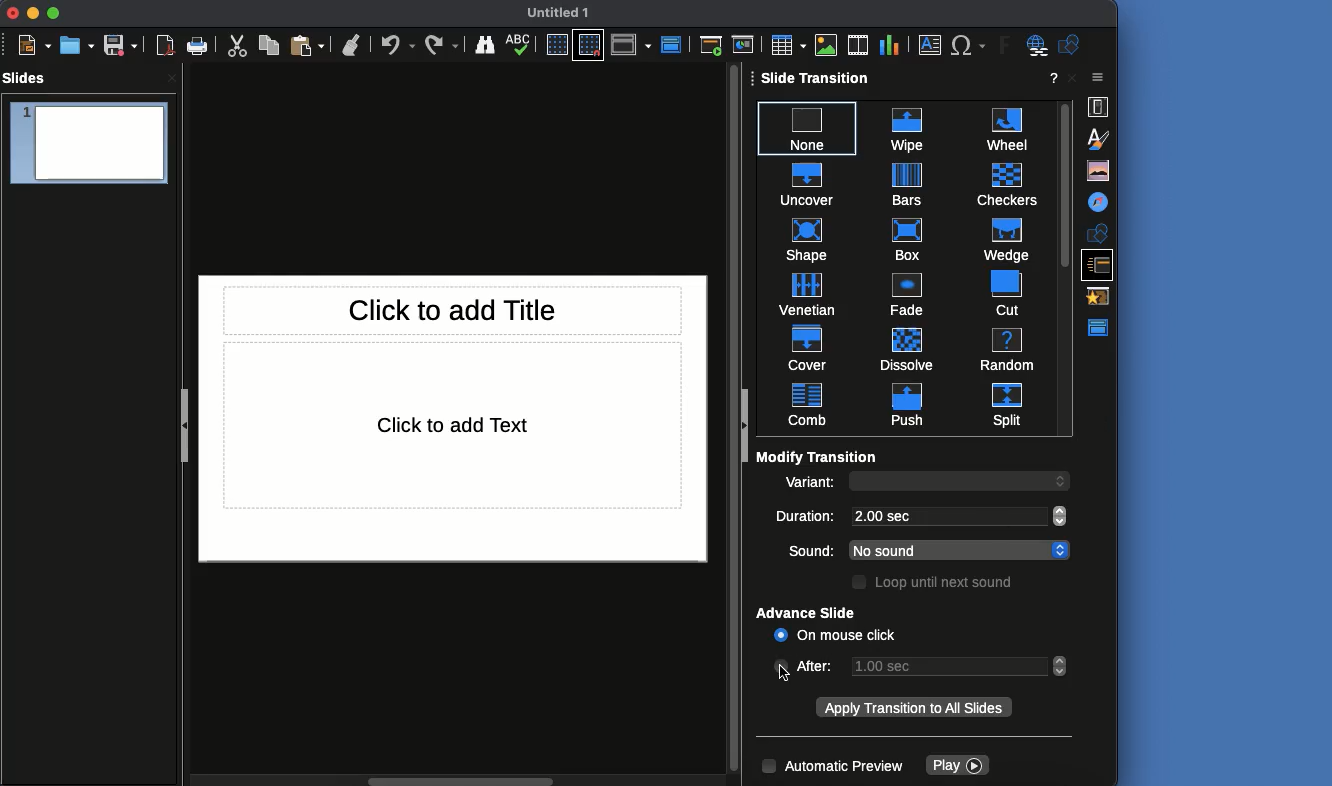  I want to click on Paste, so click(309, 44).